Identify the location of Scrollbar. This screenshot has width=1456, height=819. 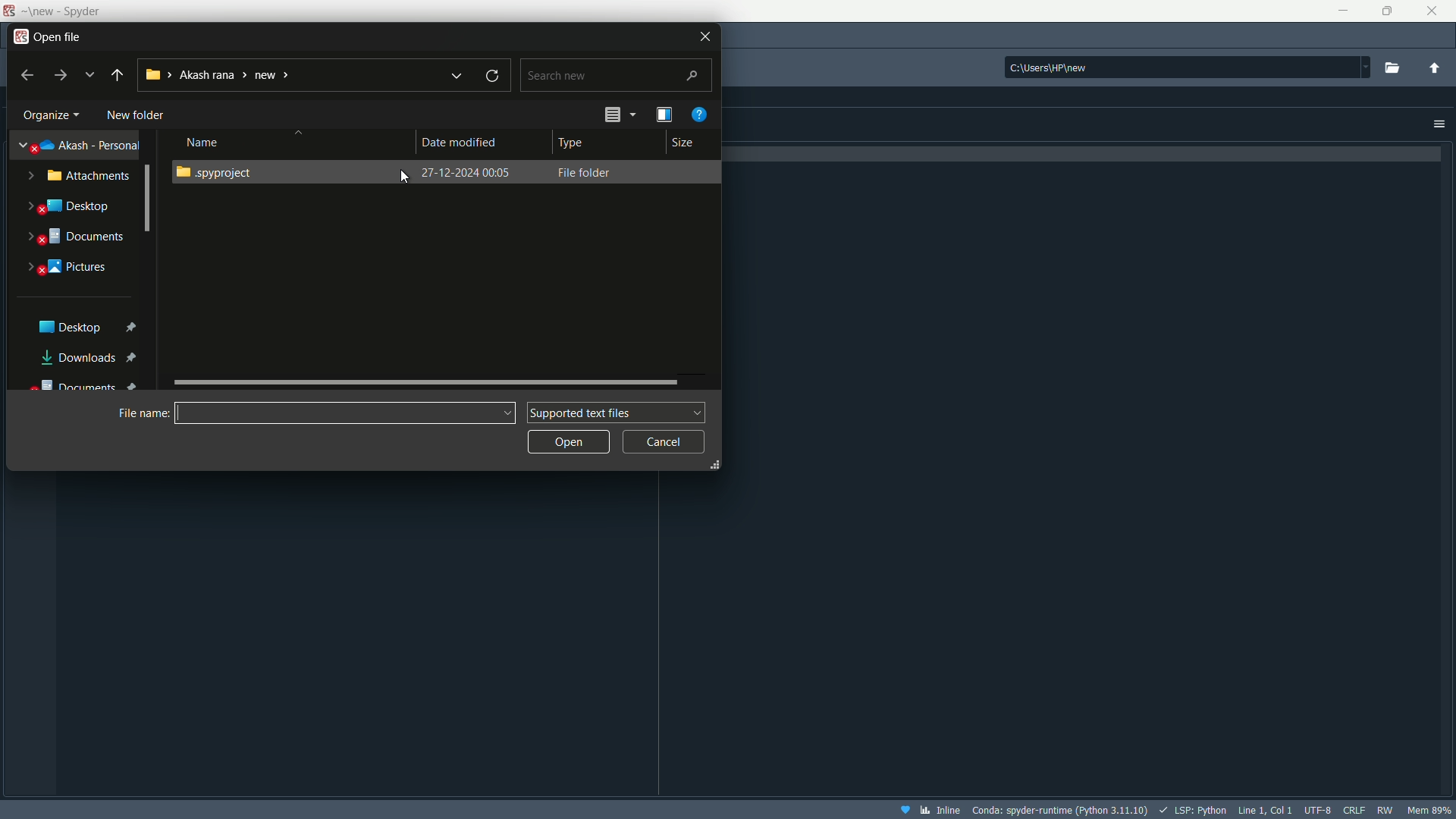
(147, 197).